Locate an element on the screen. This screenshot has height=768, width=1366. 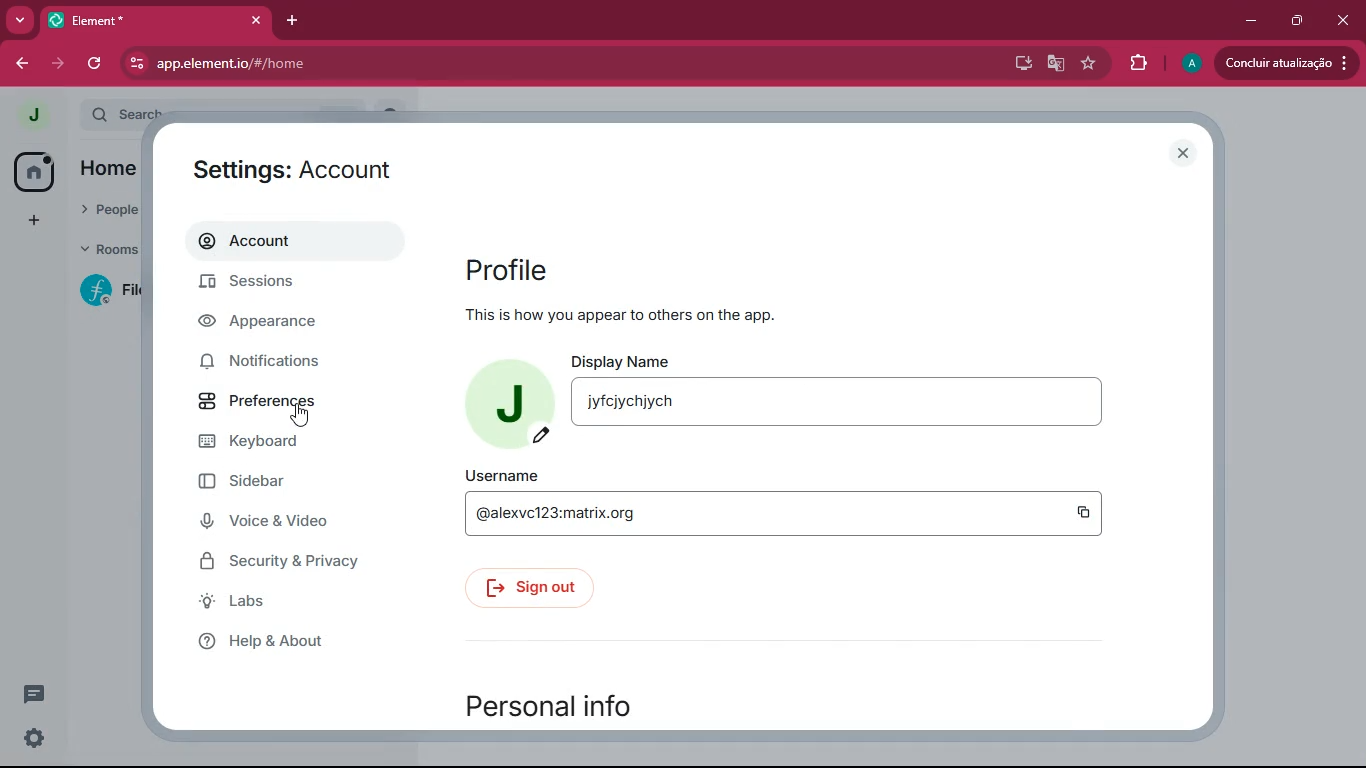
keyboard is located at coordinates (280, 447).